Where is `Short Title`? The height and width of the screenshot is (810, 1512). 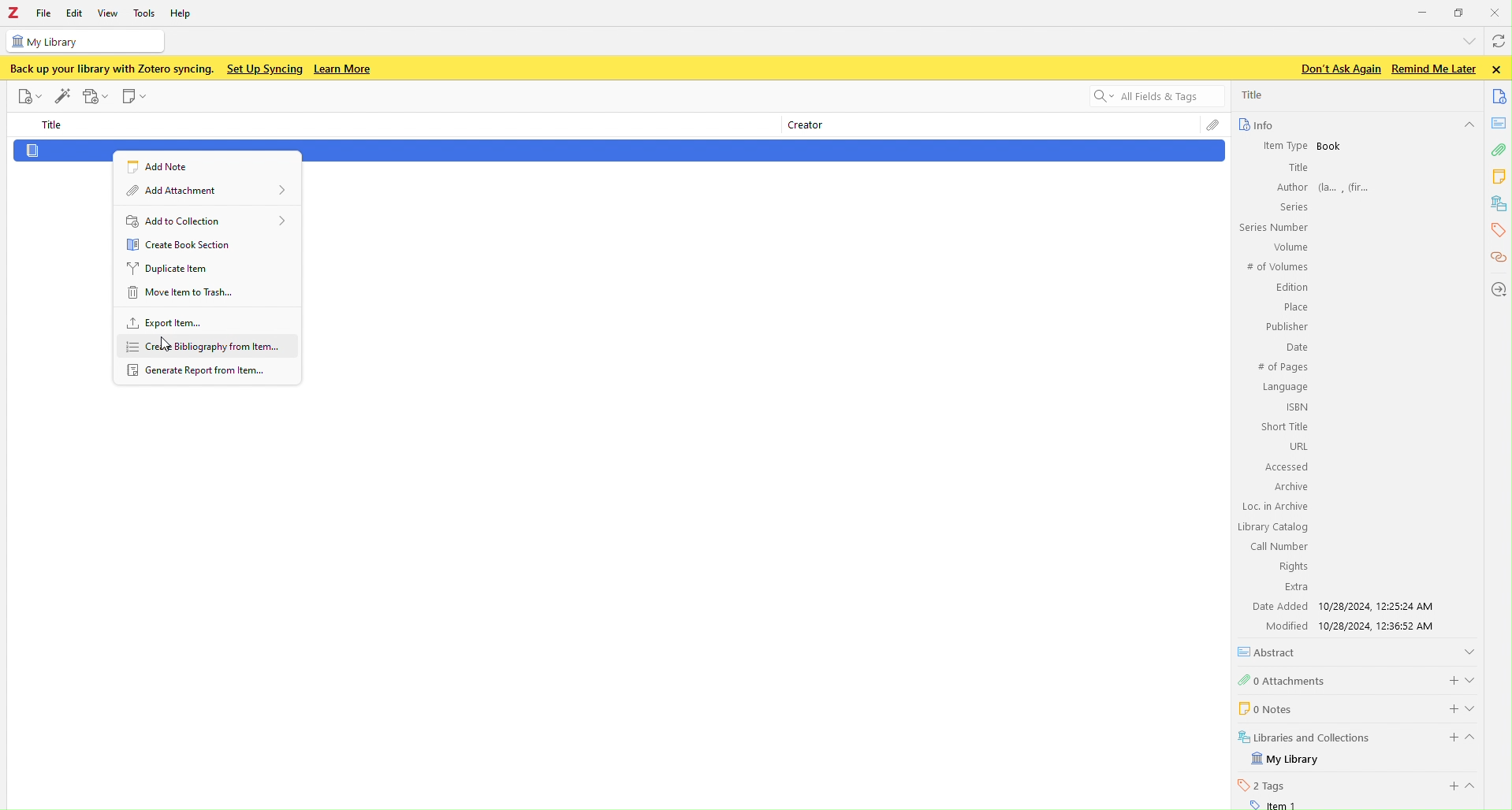
Short Title is located at coordinates (1286, 426).